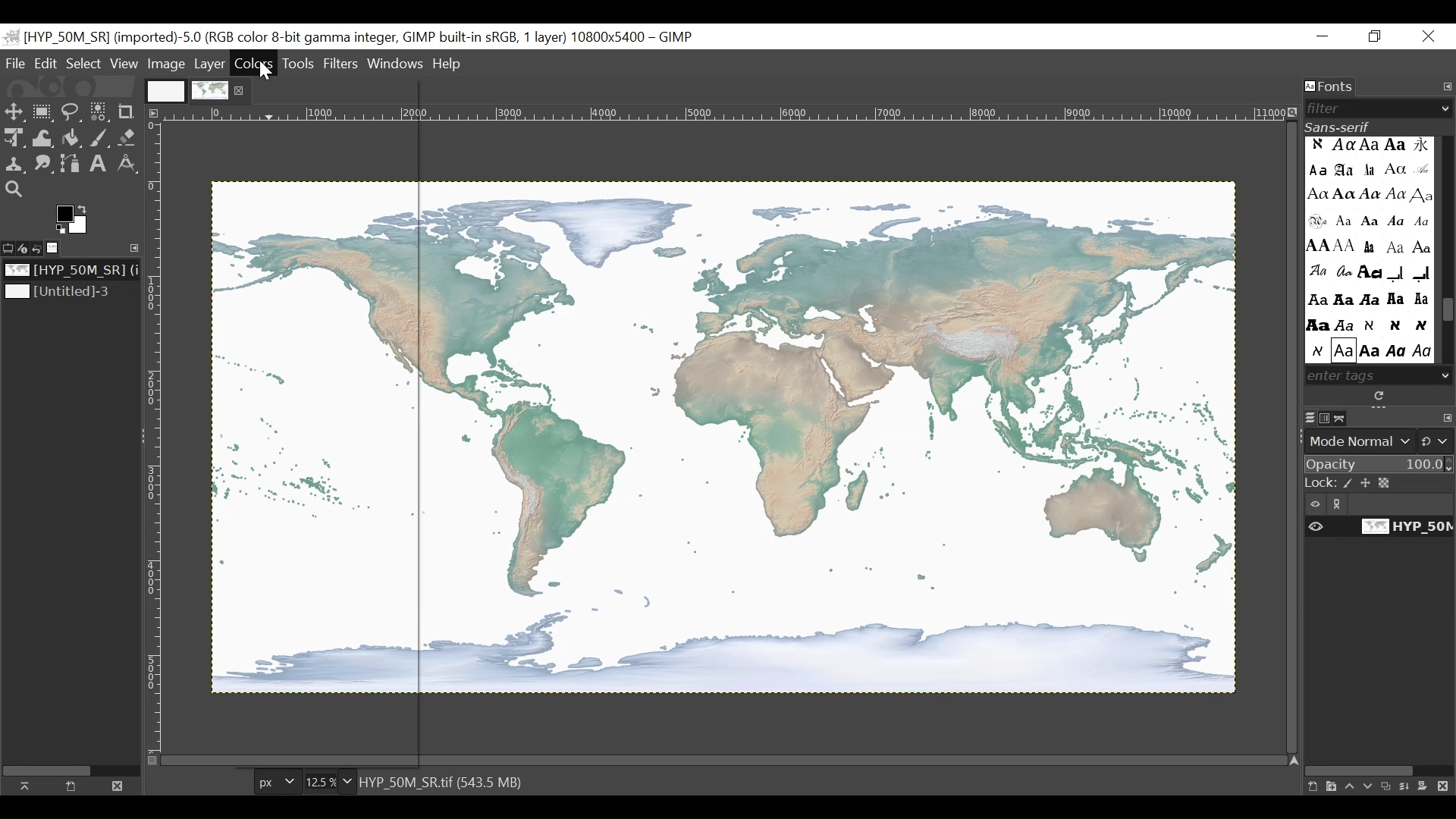 Image resolution: width=1456 pixels, height=819 pixels. I want to click on Item visibility, so click(1379, 504).